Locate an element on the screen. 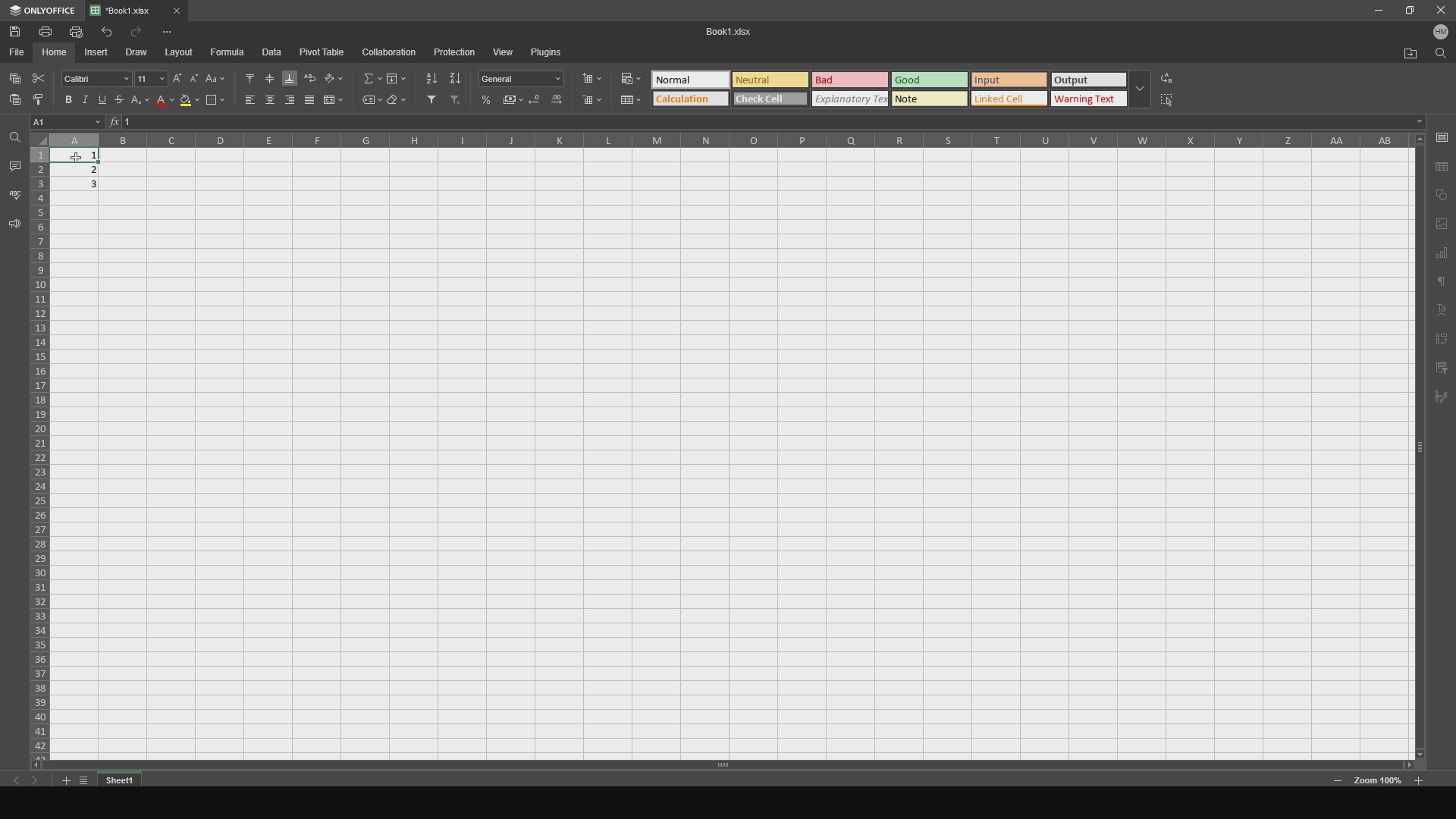 Image resolution: width=1456 pixels, height=819 pixels. options is located at coordinates (177, 31).